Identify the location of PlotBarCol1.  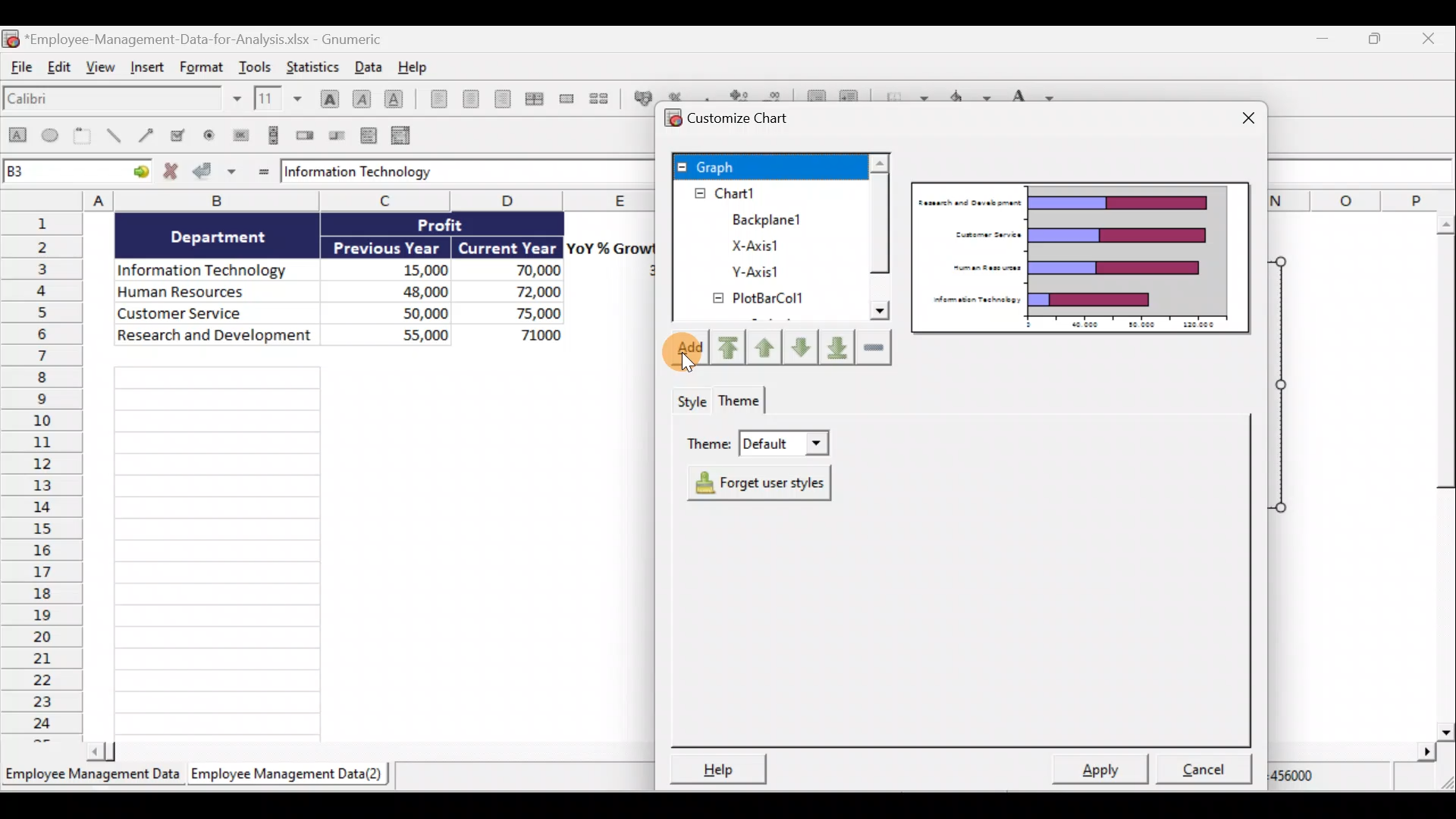
(768, 300).